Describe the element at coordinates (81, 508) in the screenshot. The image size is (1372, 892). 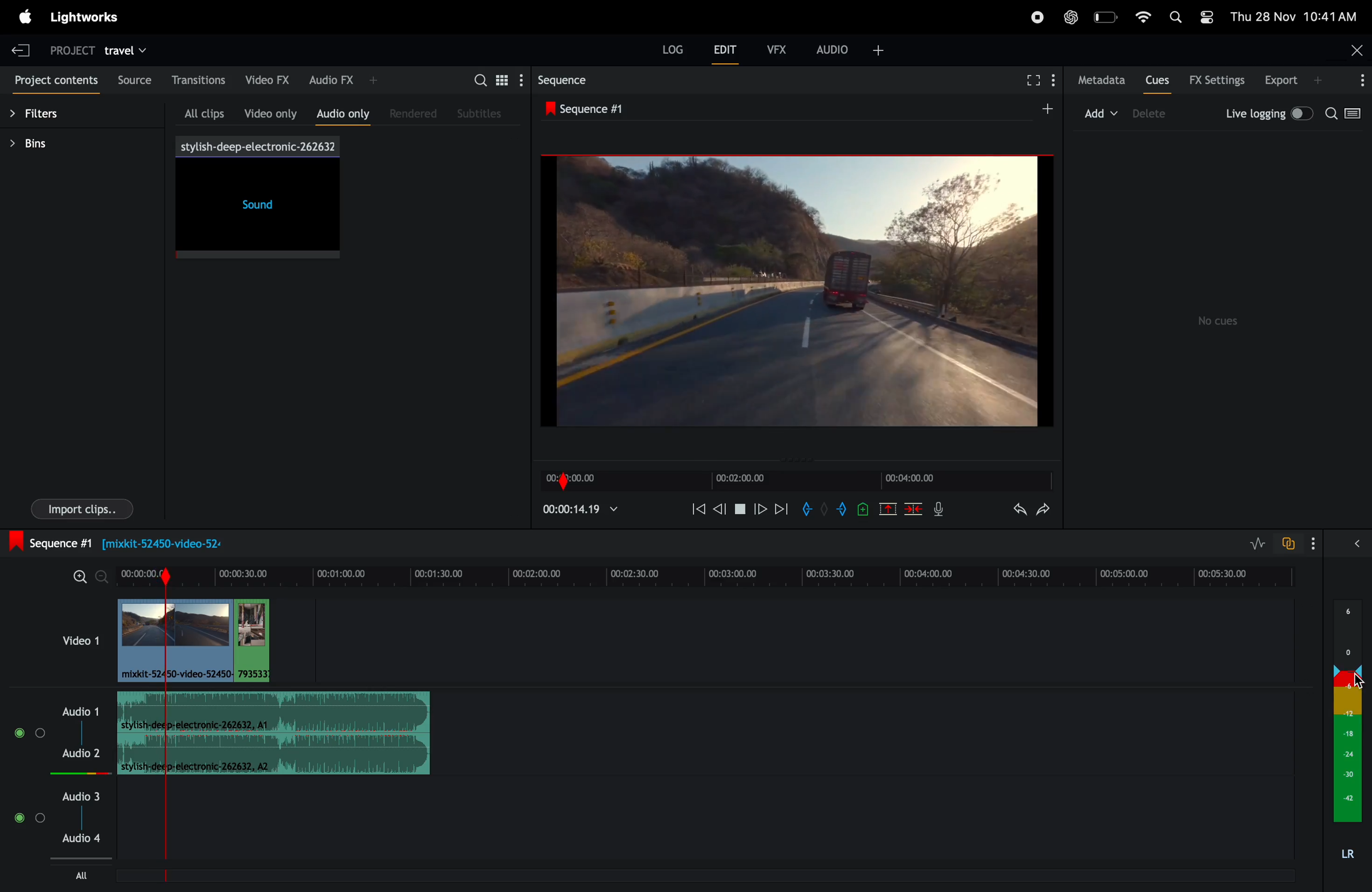
I see `imports` at that location.